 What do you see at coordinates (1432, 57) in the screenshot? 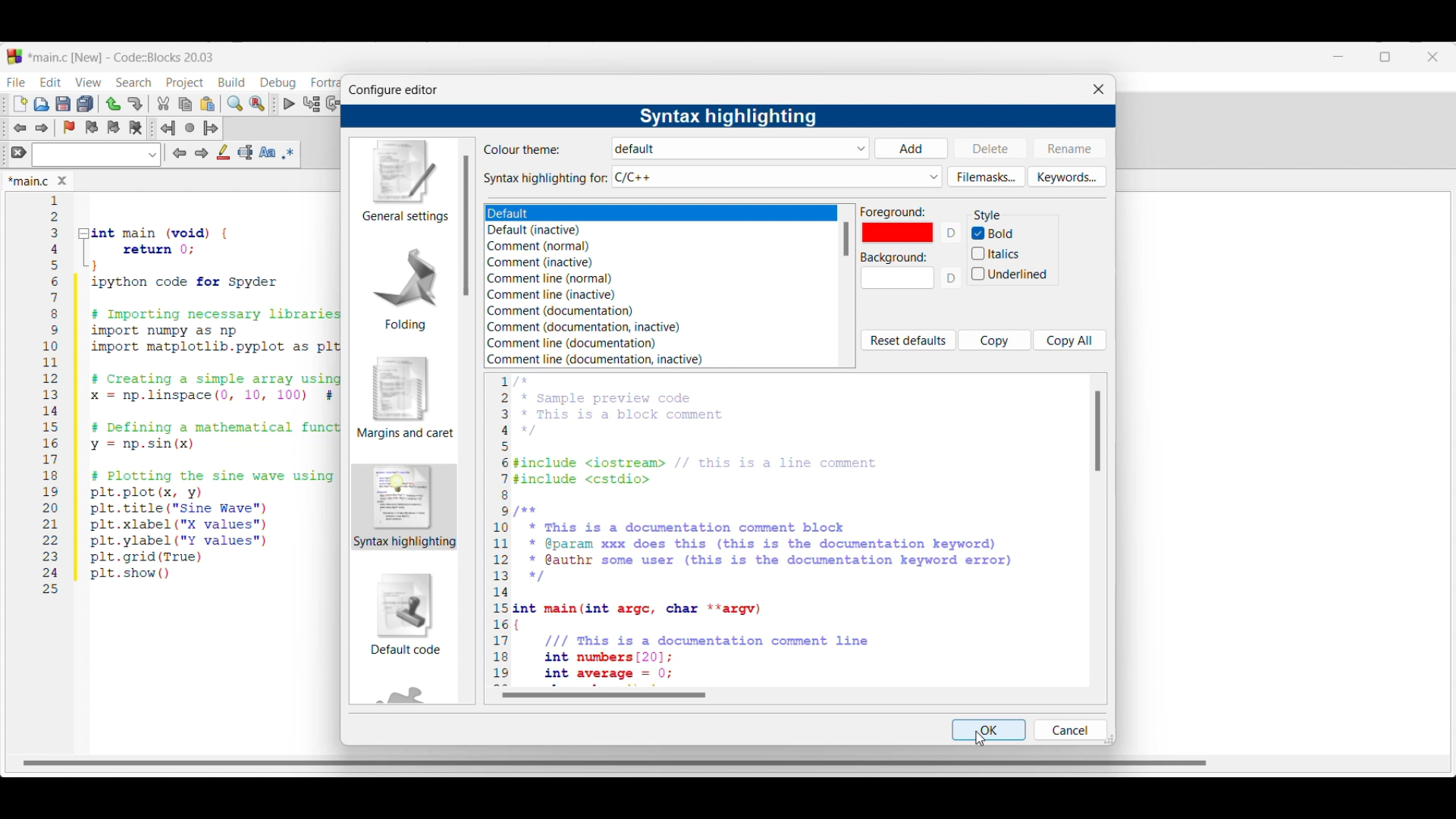
I see `Close interface` at bounding box center [1432, 57].